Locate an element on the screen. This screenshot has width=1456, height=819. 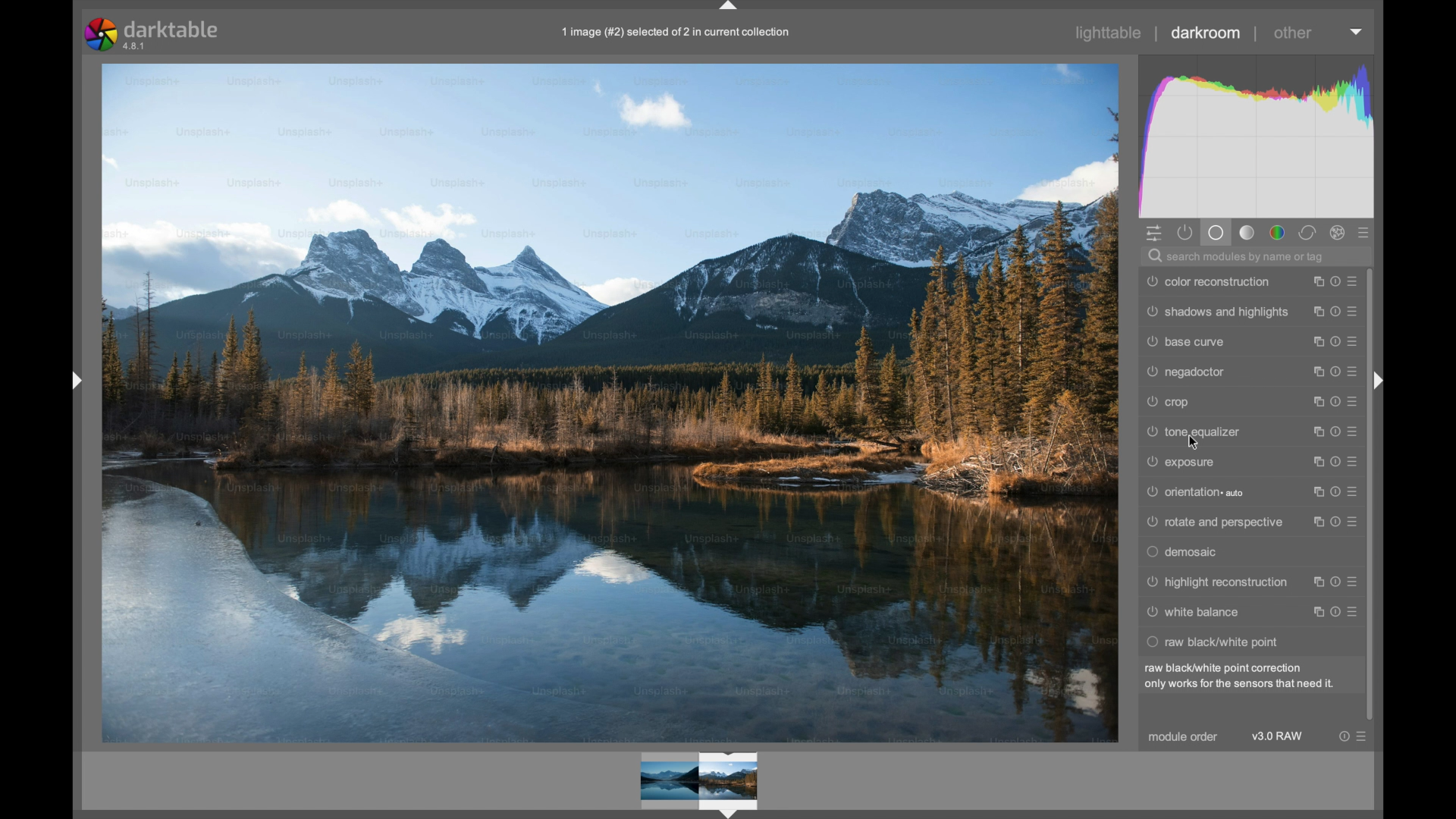
presets is located at coordinates (1358, 522).